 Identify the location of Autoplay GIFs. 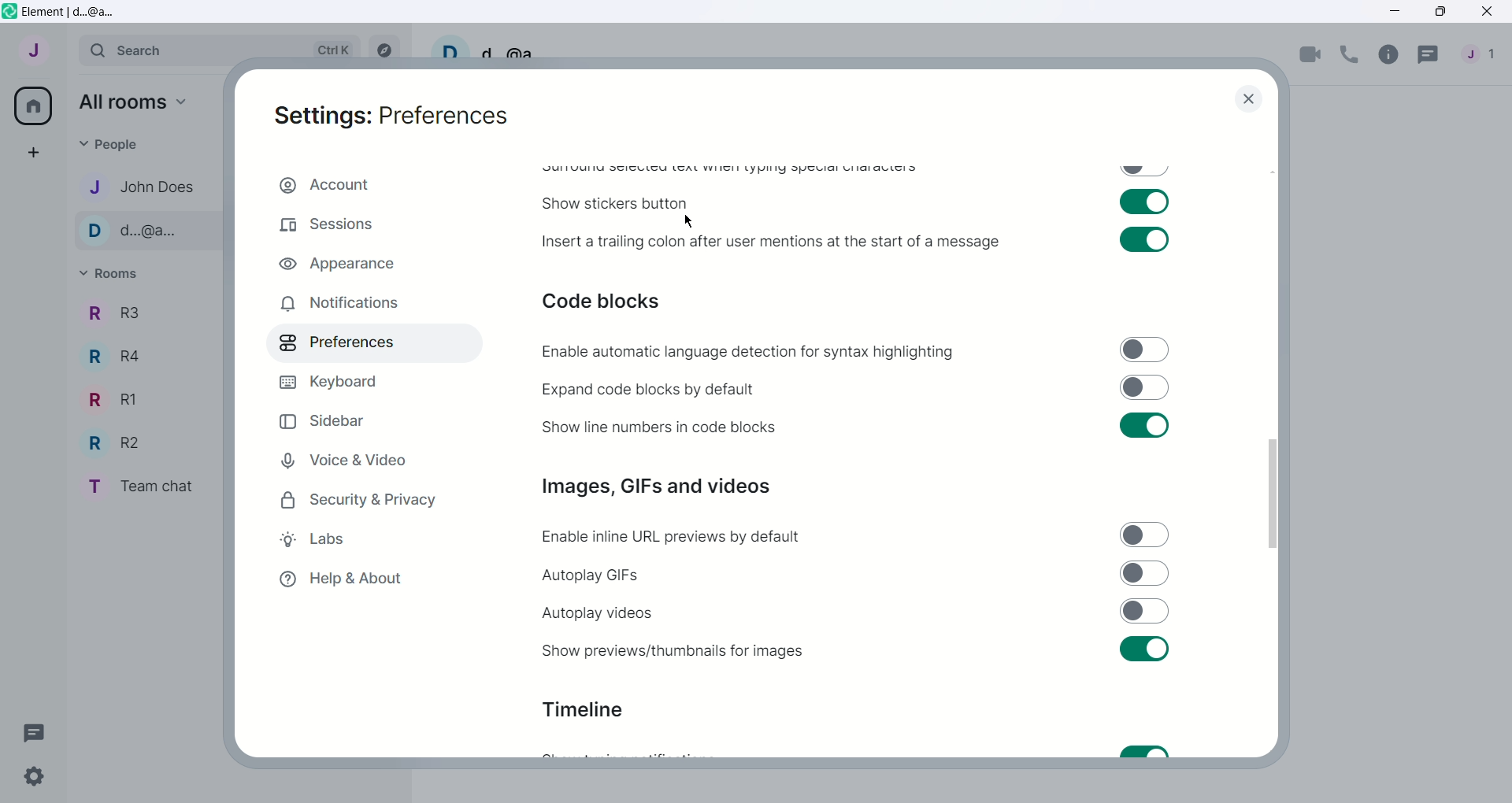
(591, 575).